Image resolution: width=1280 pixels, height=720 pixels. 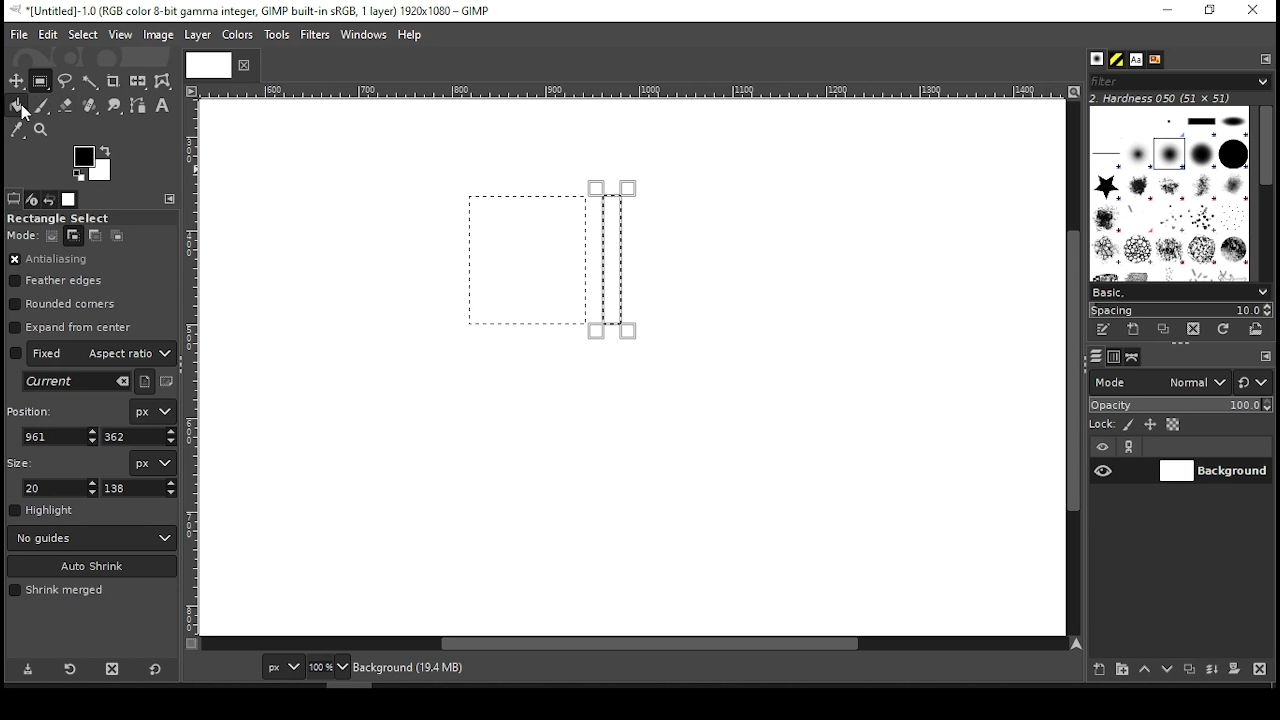 What do you see at coordinates (138, 80) in the screenshot?
I see `flip tool` at bounding box center [138, 80].